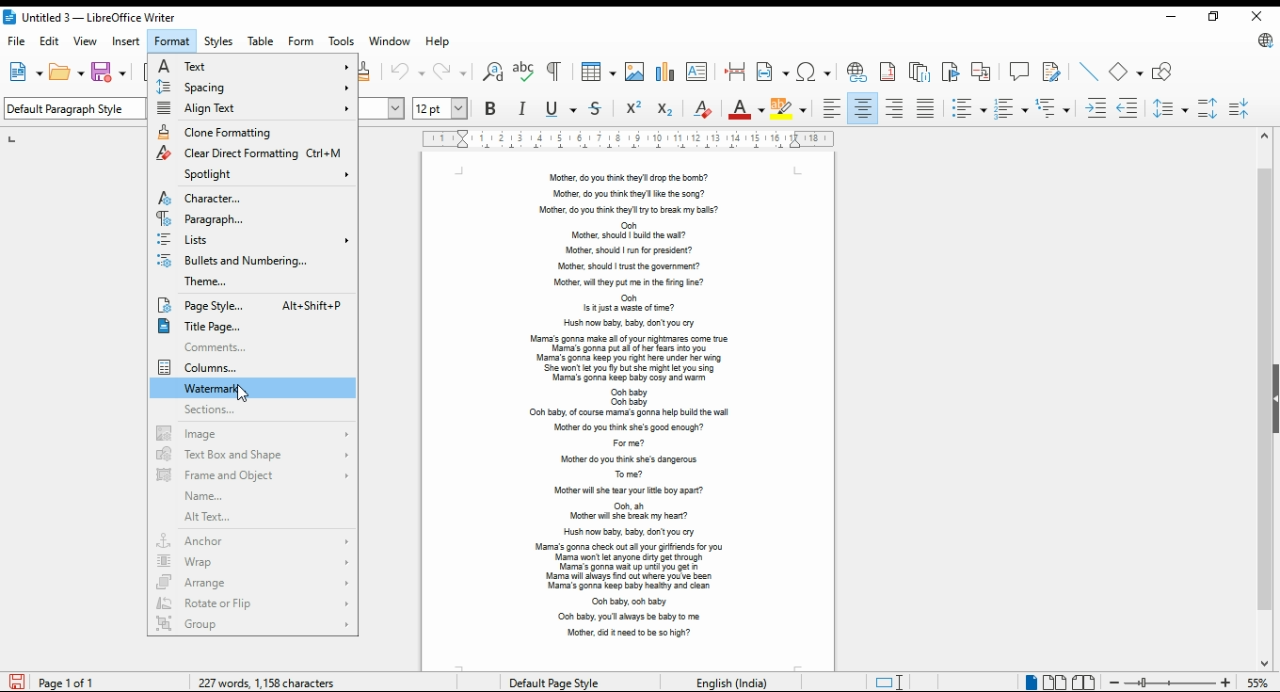 This screenshot has width=1280, height=692. What do you see at coordinates (254, 177) in the screenshot?
I see `spotlight` at bounding box center [254, 177].